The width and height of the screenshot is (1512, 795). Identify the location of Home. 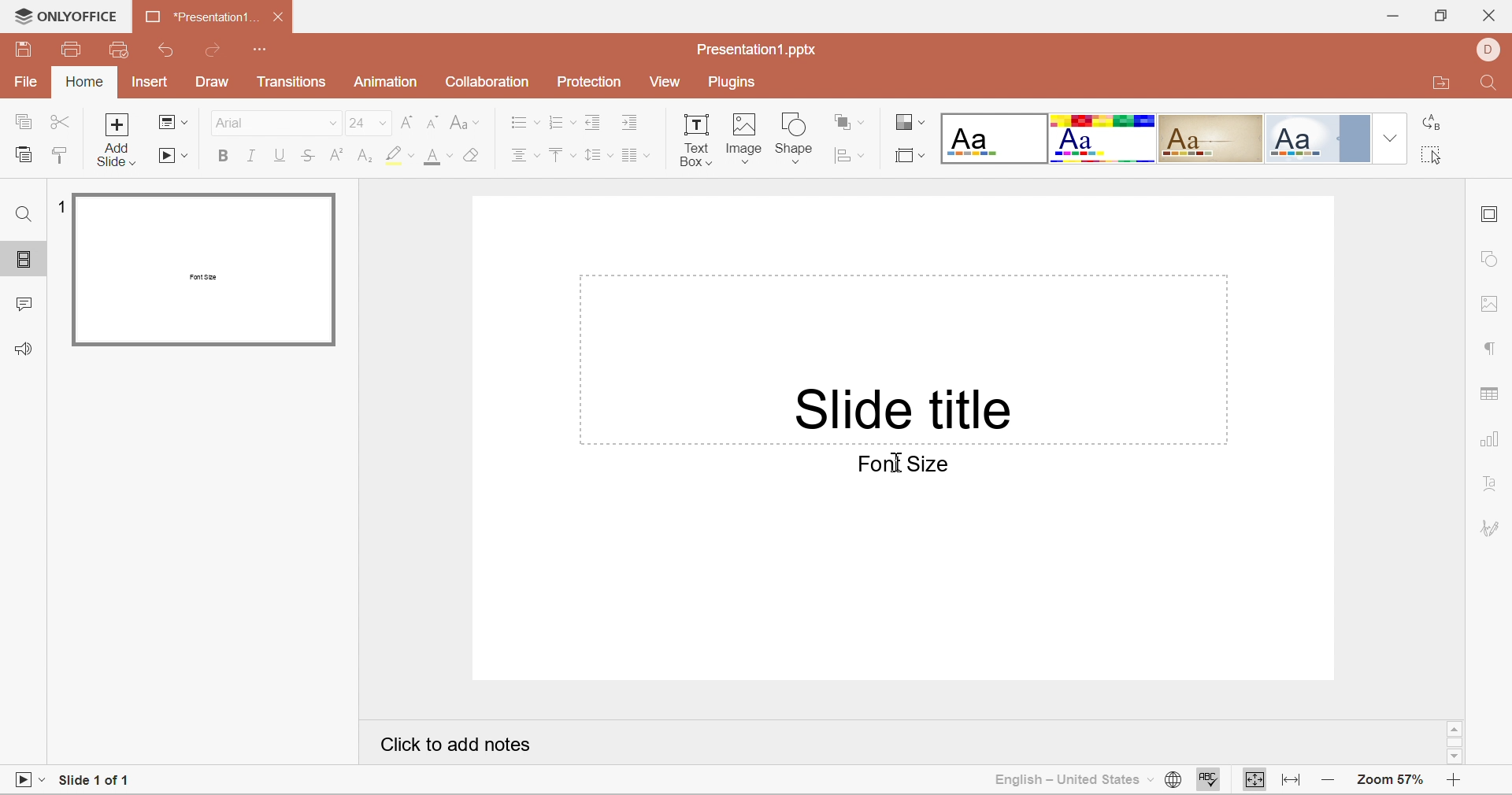
(83, 83).